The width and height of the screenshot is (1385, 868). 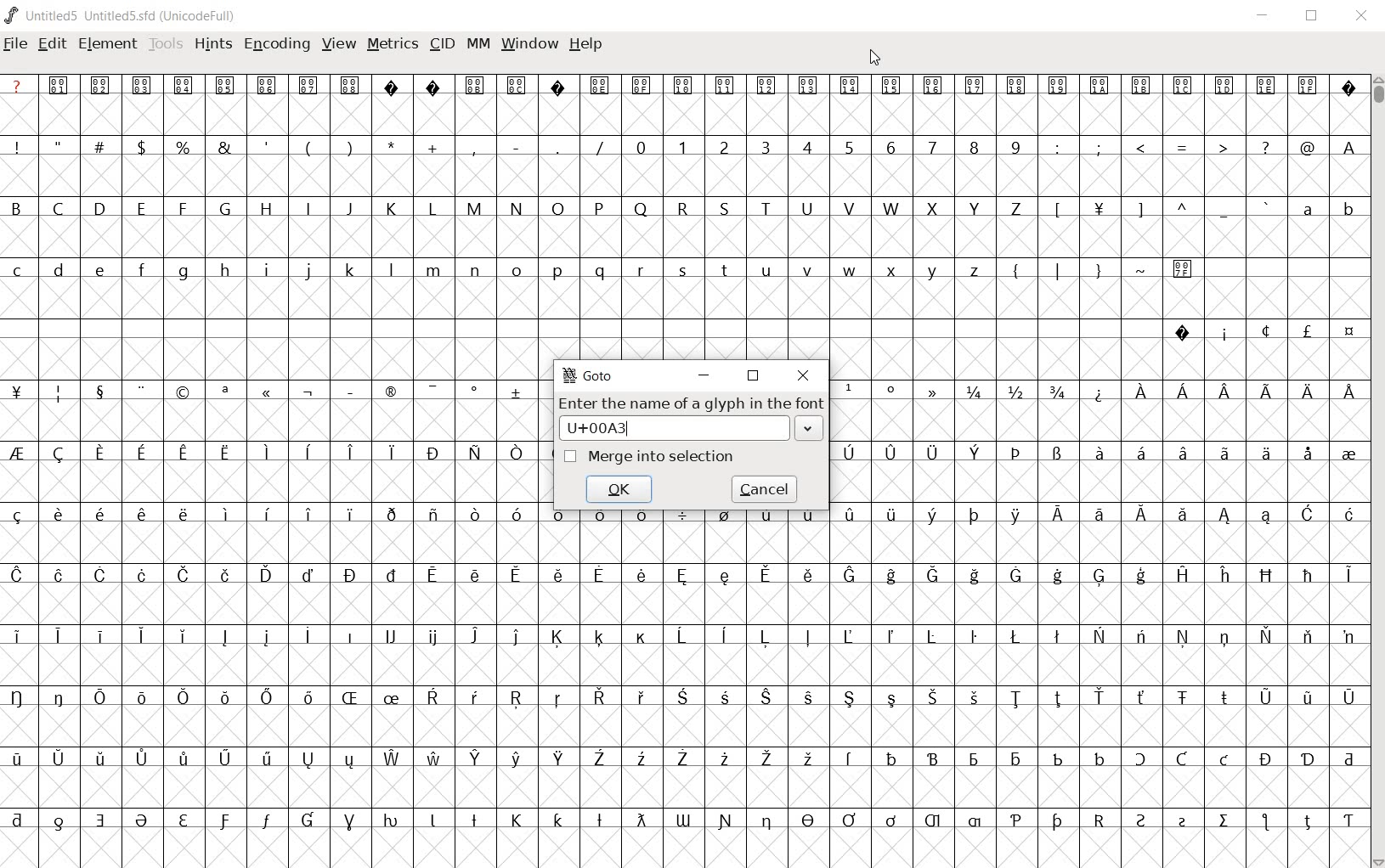 What do you see at coordinates (1183, 87) in the screenshot?
I see `Symbol` at bounding box center [1183, 87].